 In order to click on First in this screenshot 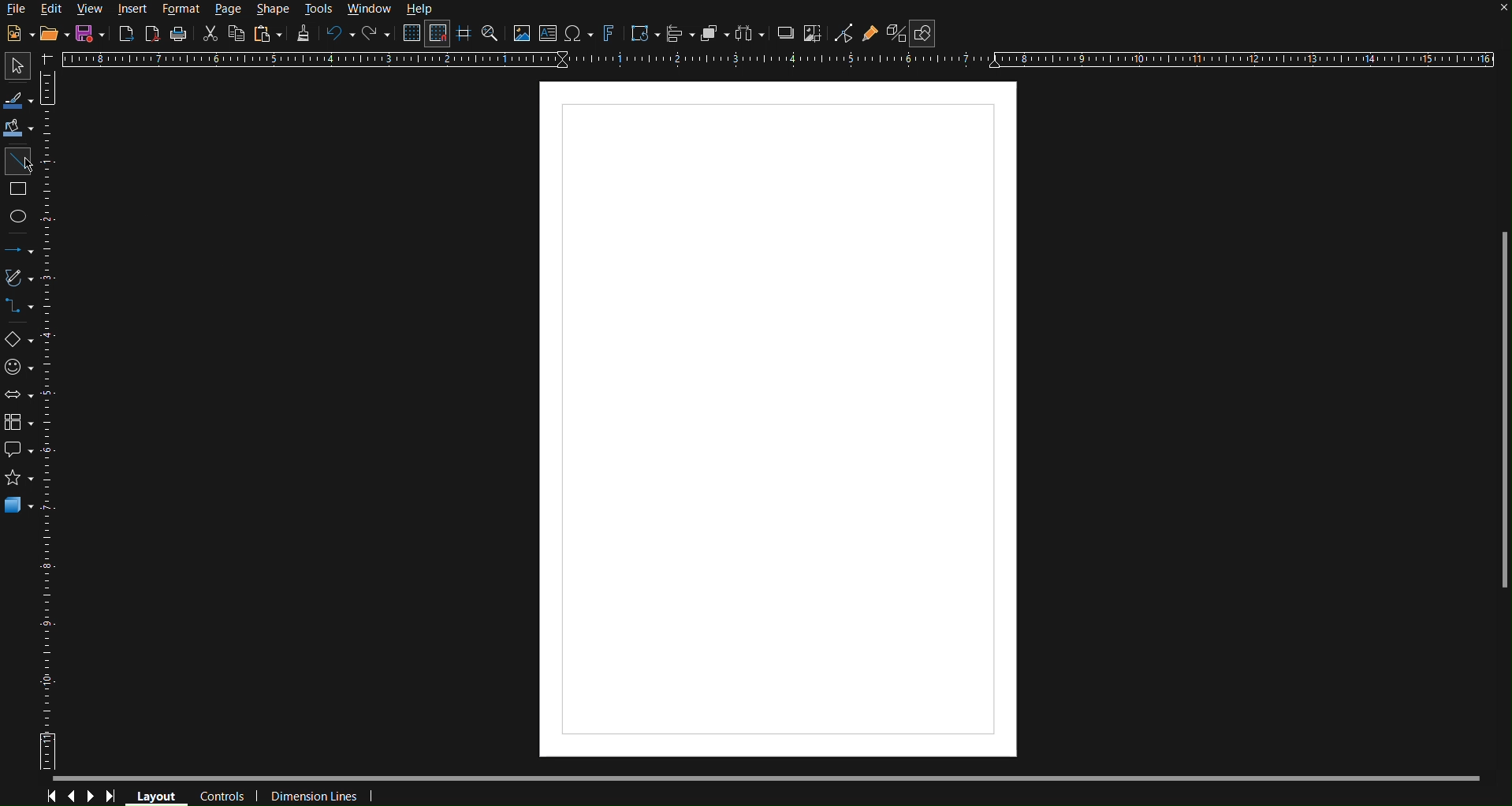, I will do `click(50, 796)`.